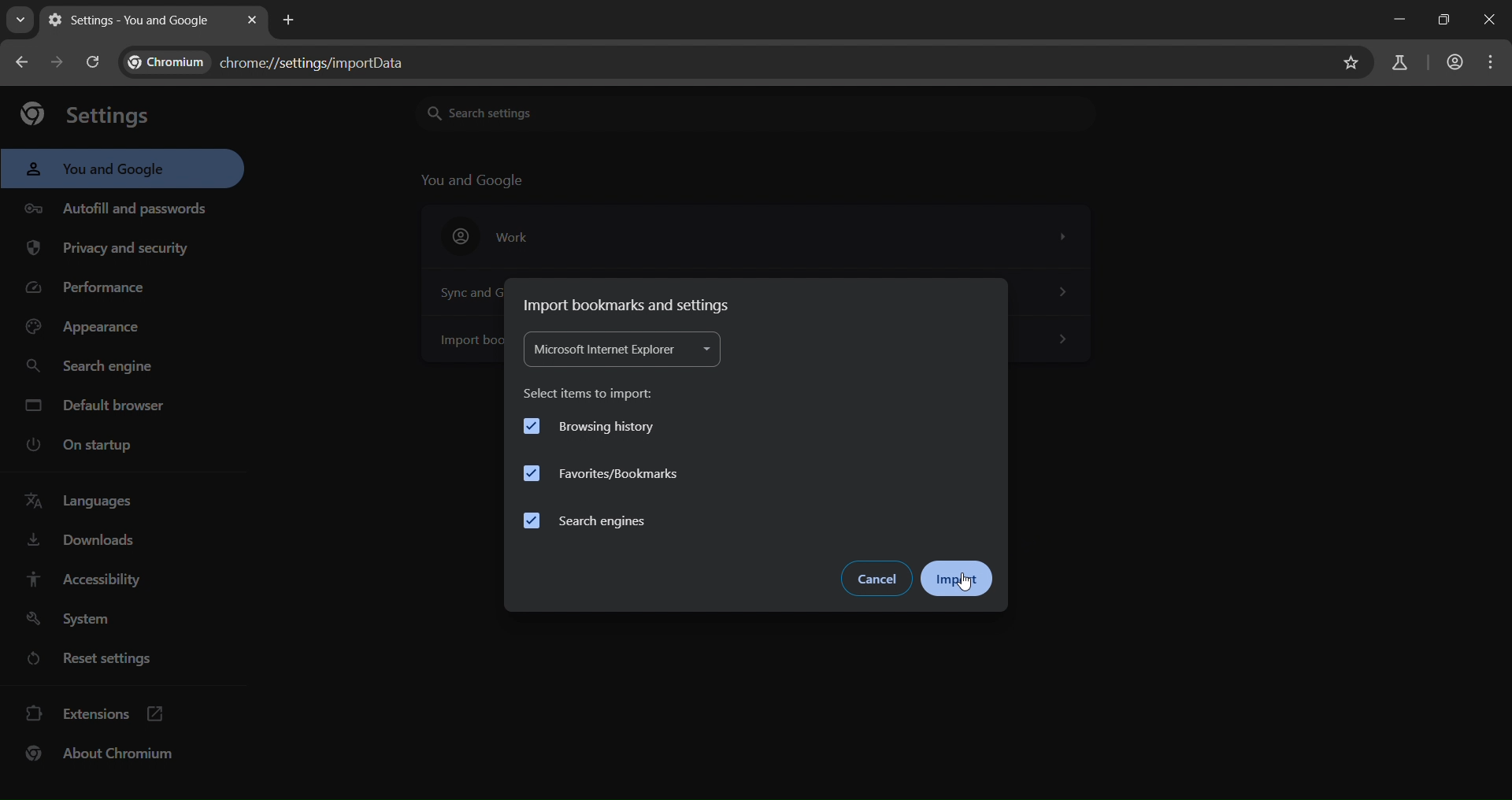 This screenshot has height=800, width=1512. I want to click on utofill and passwords, so click(117, 203).